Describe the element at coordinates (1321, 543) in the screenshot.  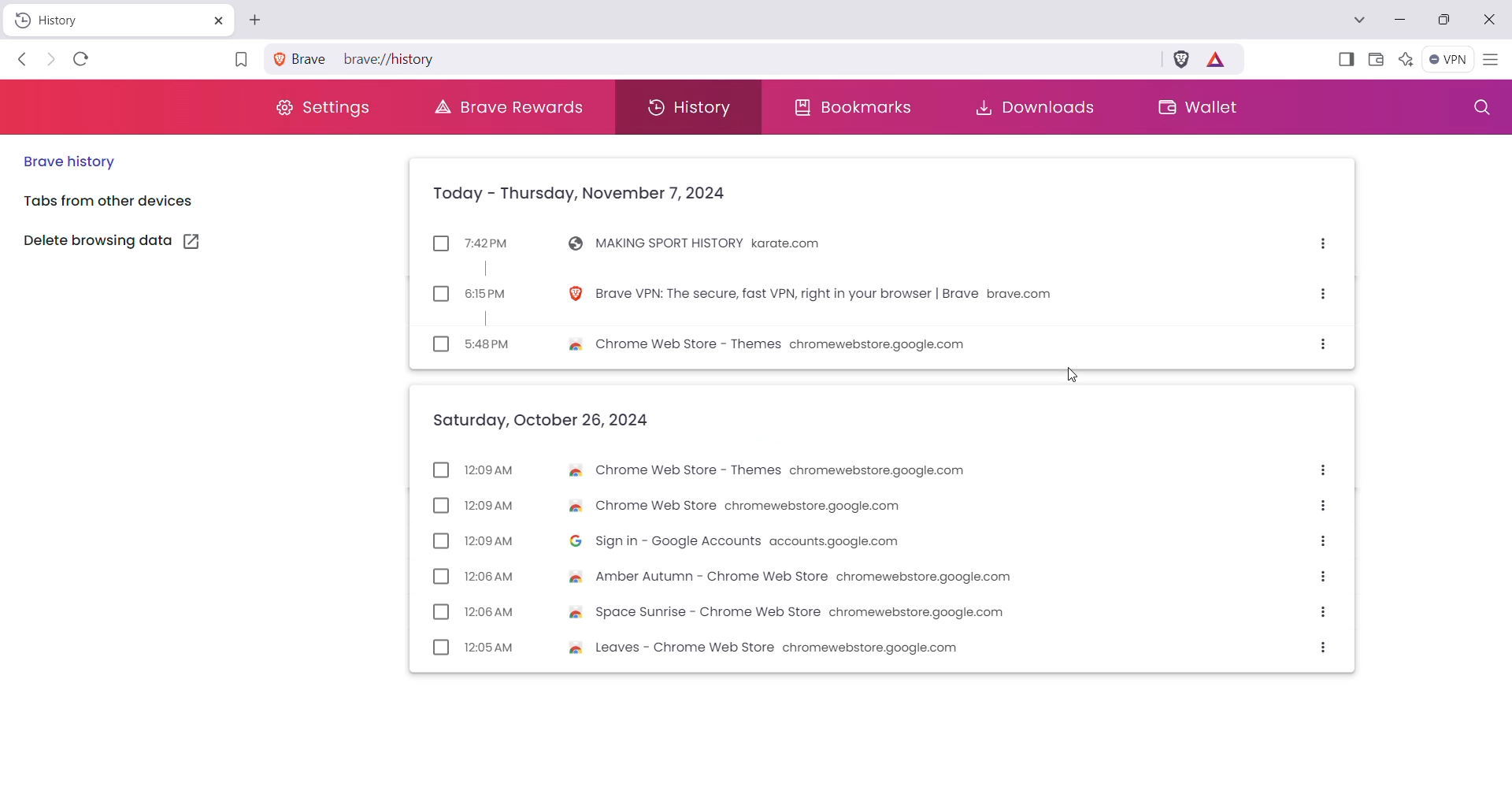
I see `More options` at that location.